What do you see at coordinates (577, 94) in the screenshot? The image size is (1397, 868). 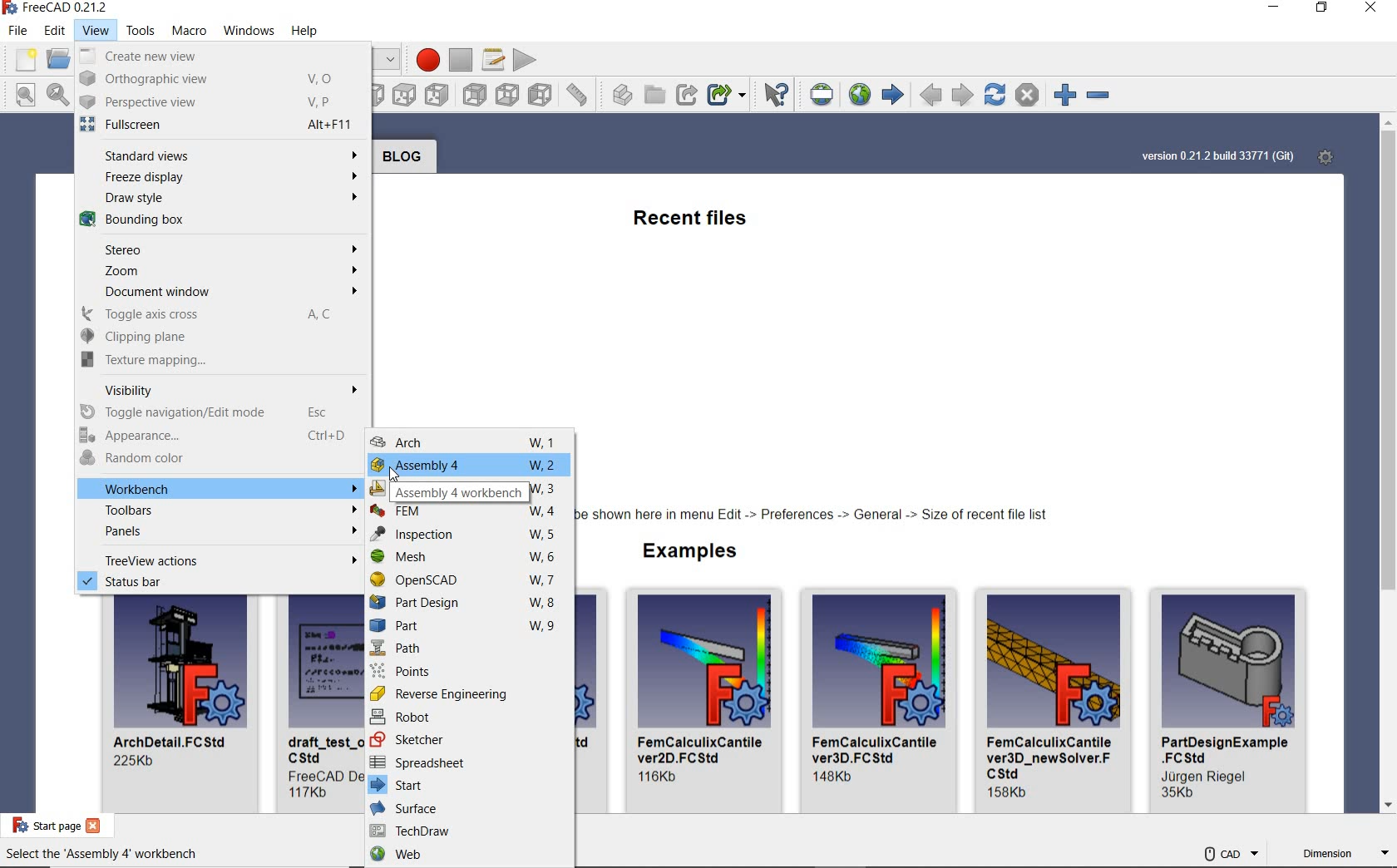 I see `measure distance` at bounding box center [577, 94].